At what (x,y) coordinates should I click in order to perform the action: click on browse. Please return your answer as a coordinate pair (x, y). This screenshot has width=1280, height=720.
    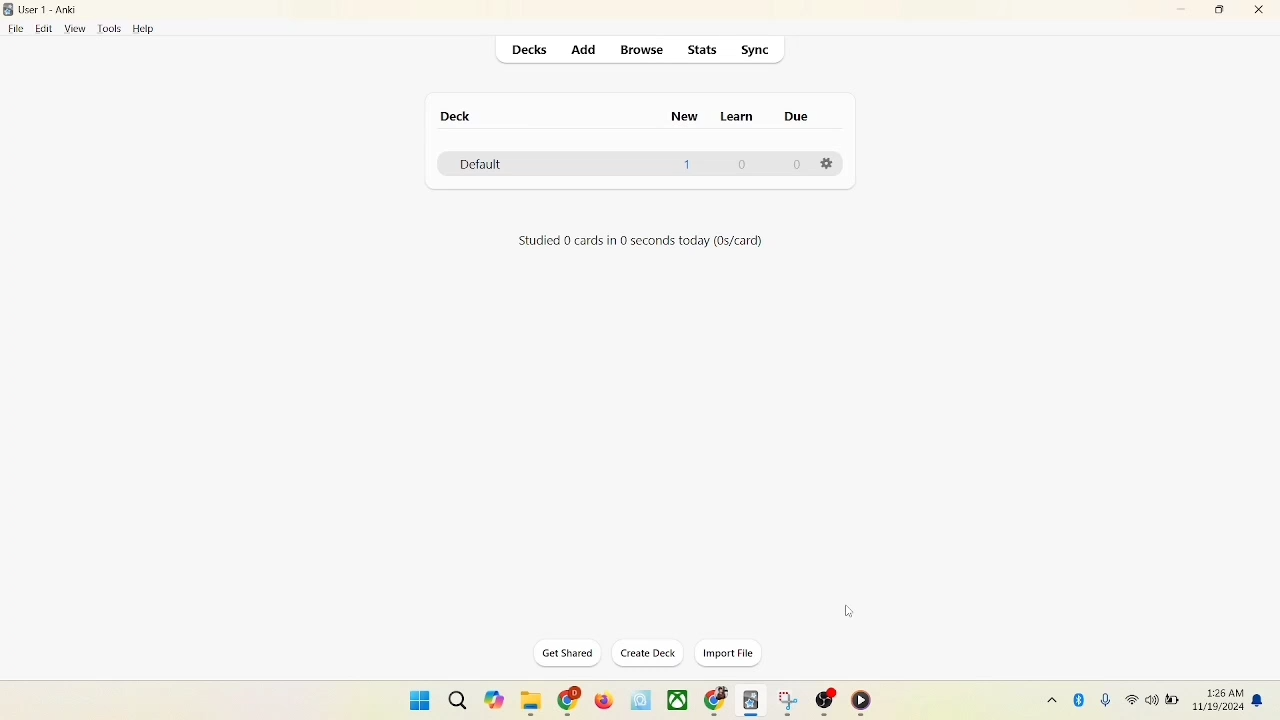
    Looking at the image, I should click on (644, 51).